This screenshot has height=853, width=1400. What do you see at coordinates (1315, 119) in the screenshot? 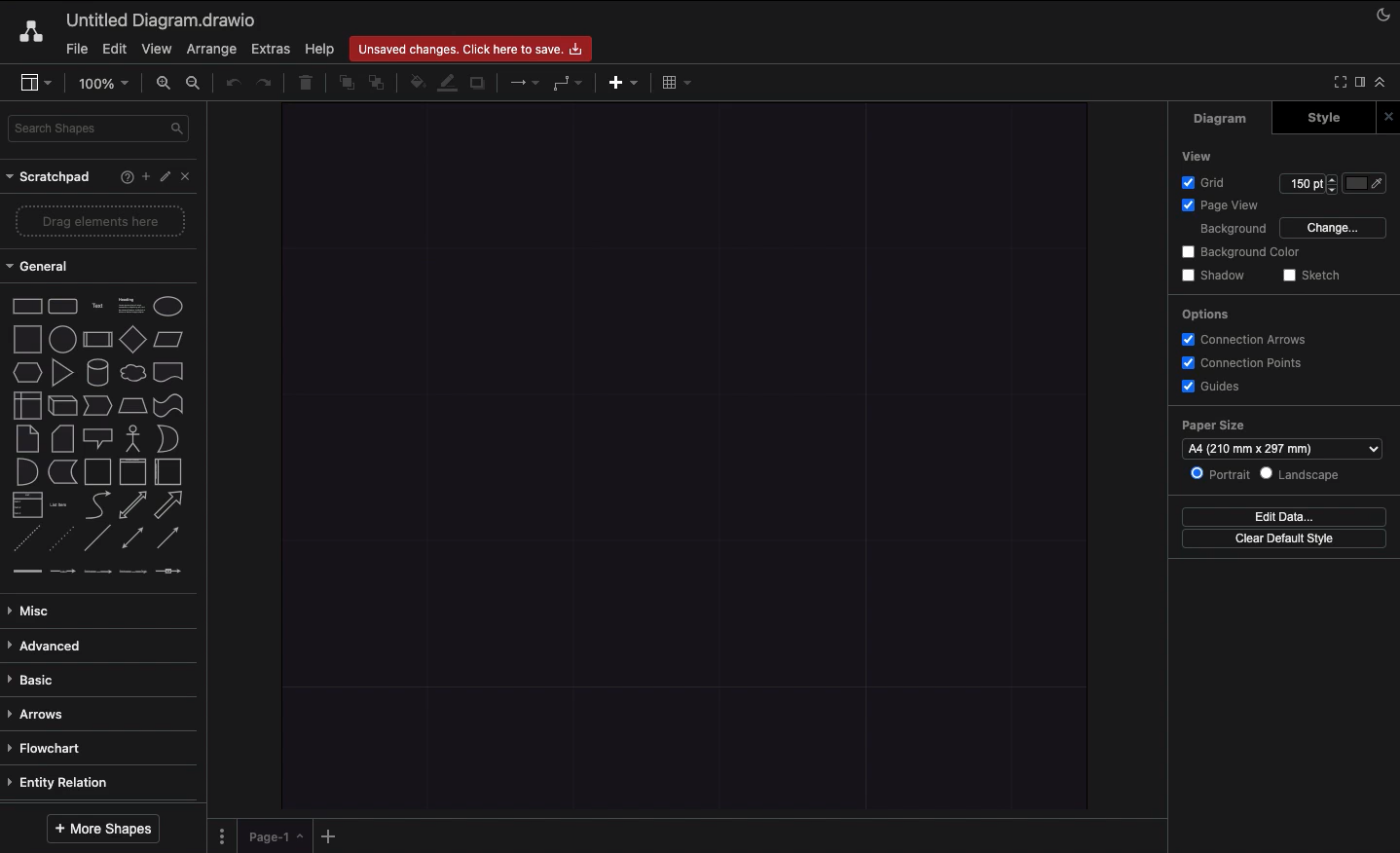
I see `Style` at bounding box center [1315, 119].